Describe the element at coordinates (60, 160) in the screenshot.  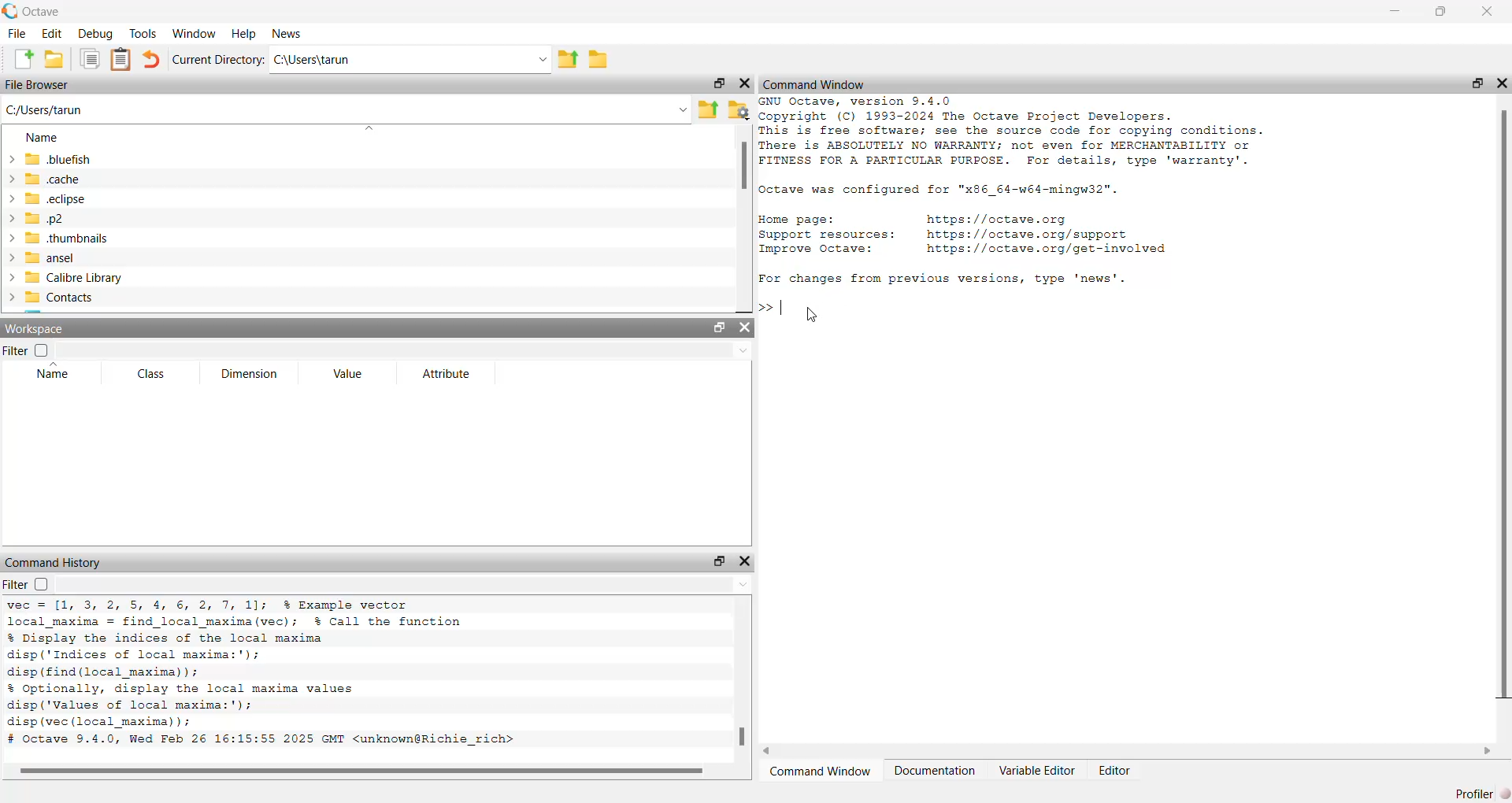
I see `.bluefish` at that location.